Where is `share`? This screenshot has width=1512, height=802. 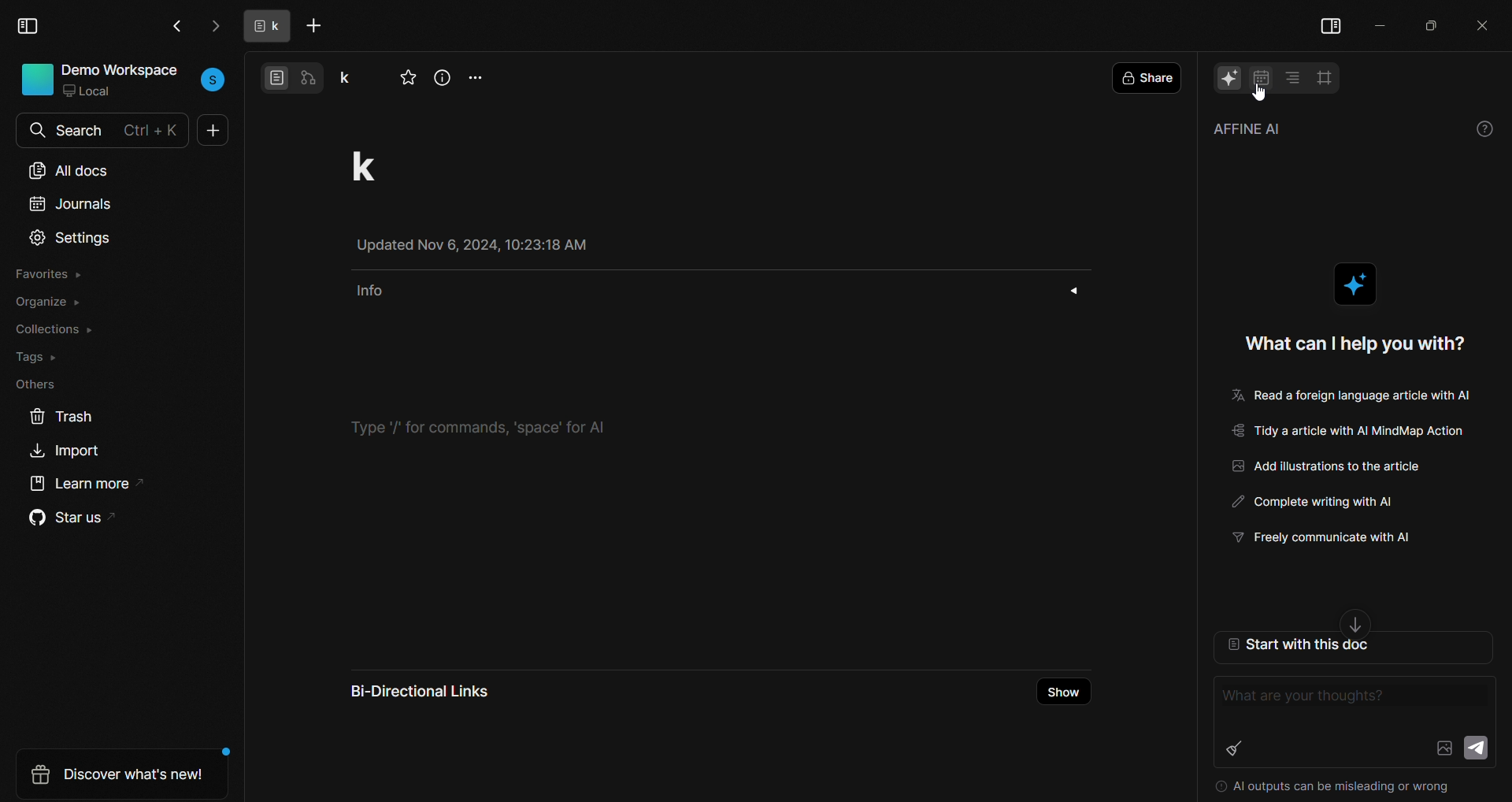 share is located at coordinates (1151, 77).